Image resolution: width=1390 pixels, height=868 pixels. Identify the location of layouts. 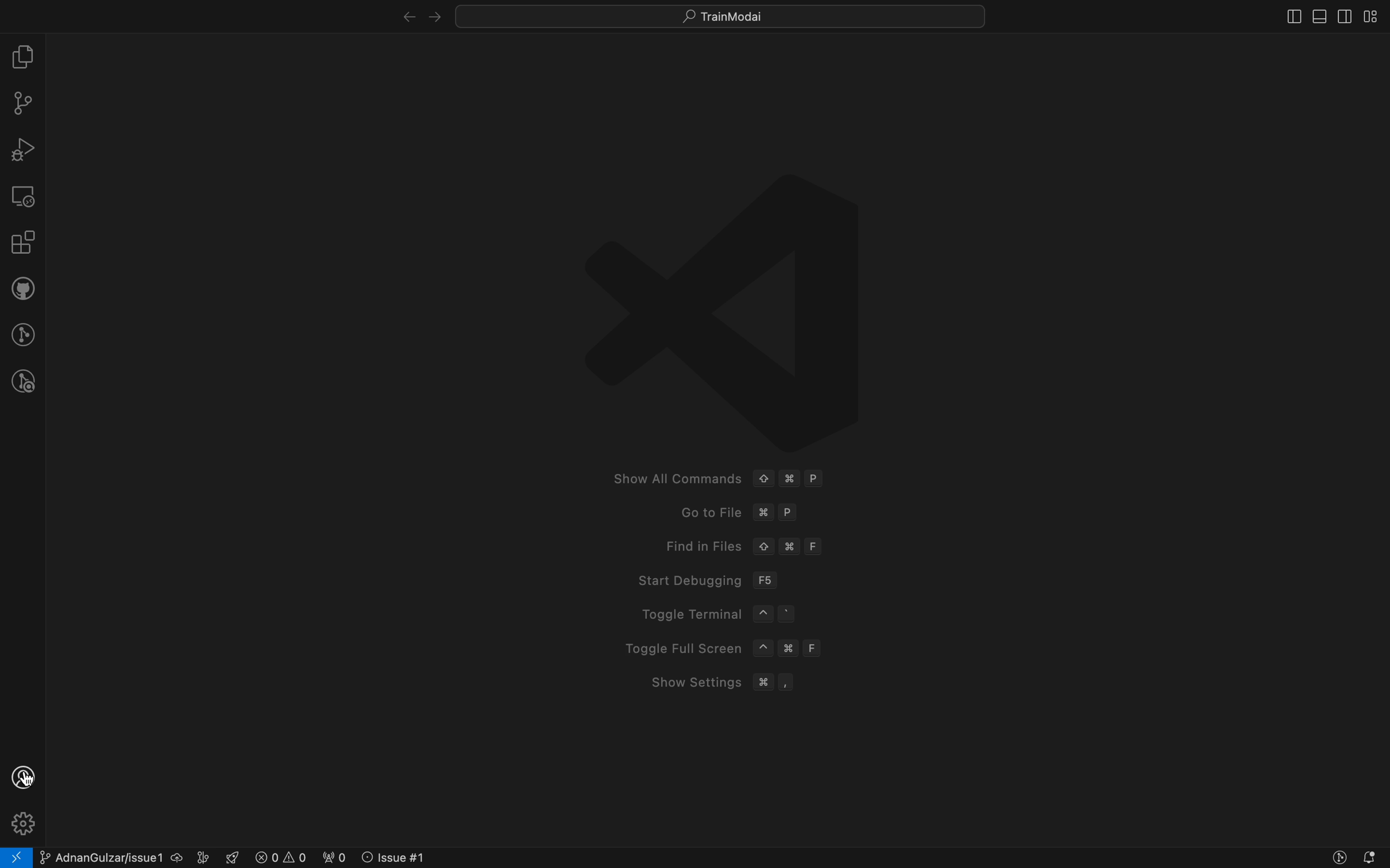
(1376, 17).